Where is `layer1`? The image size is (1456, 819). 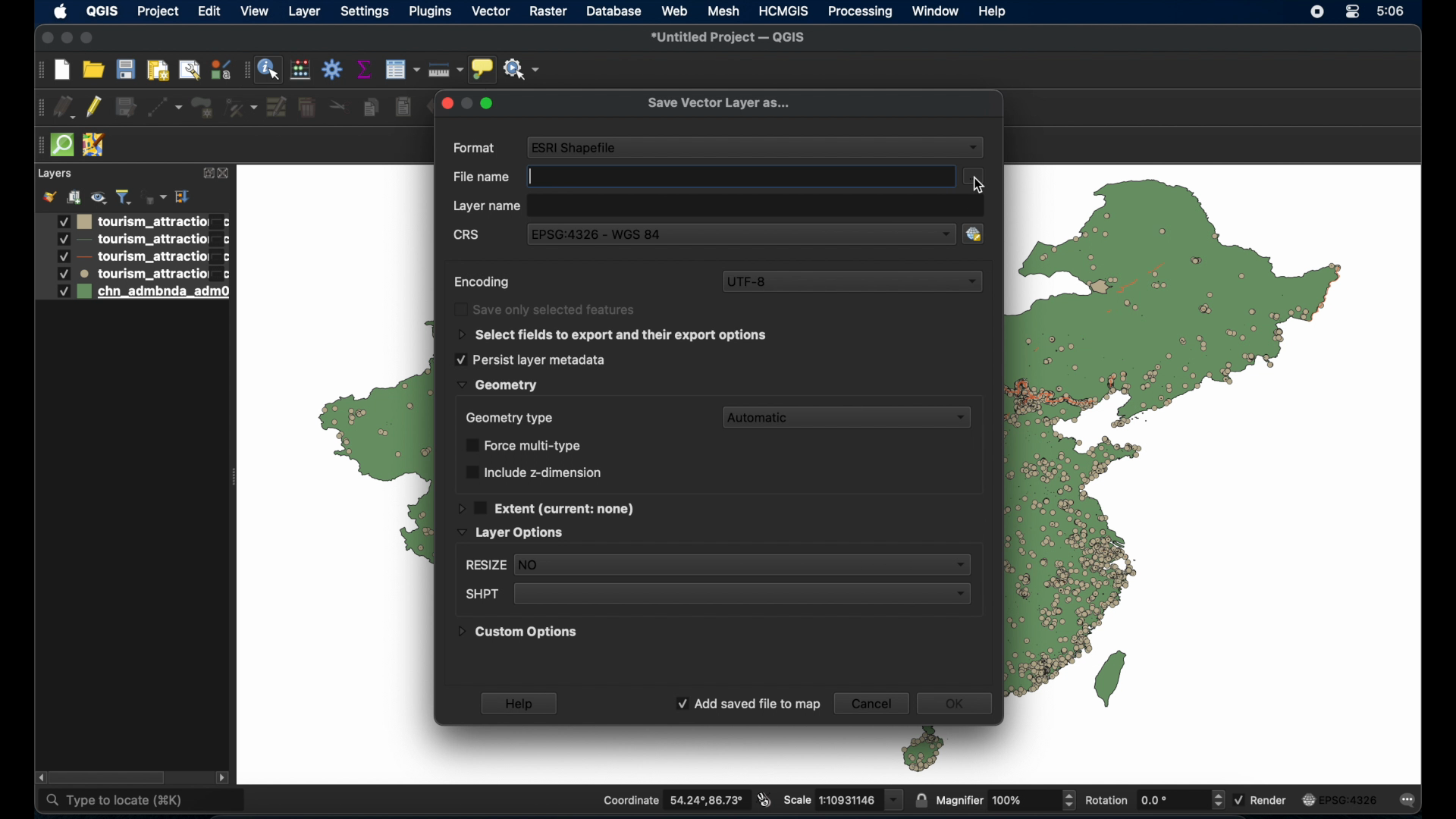 layer1 is located at coordinates (133, 221).